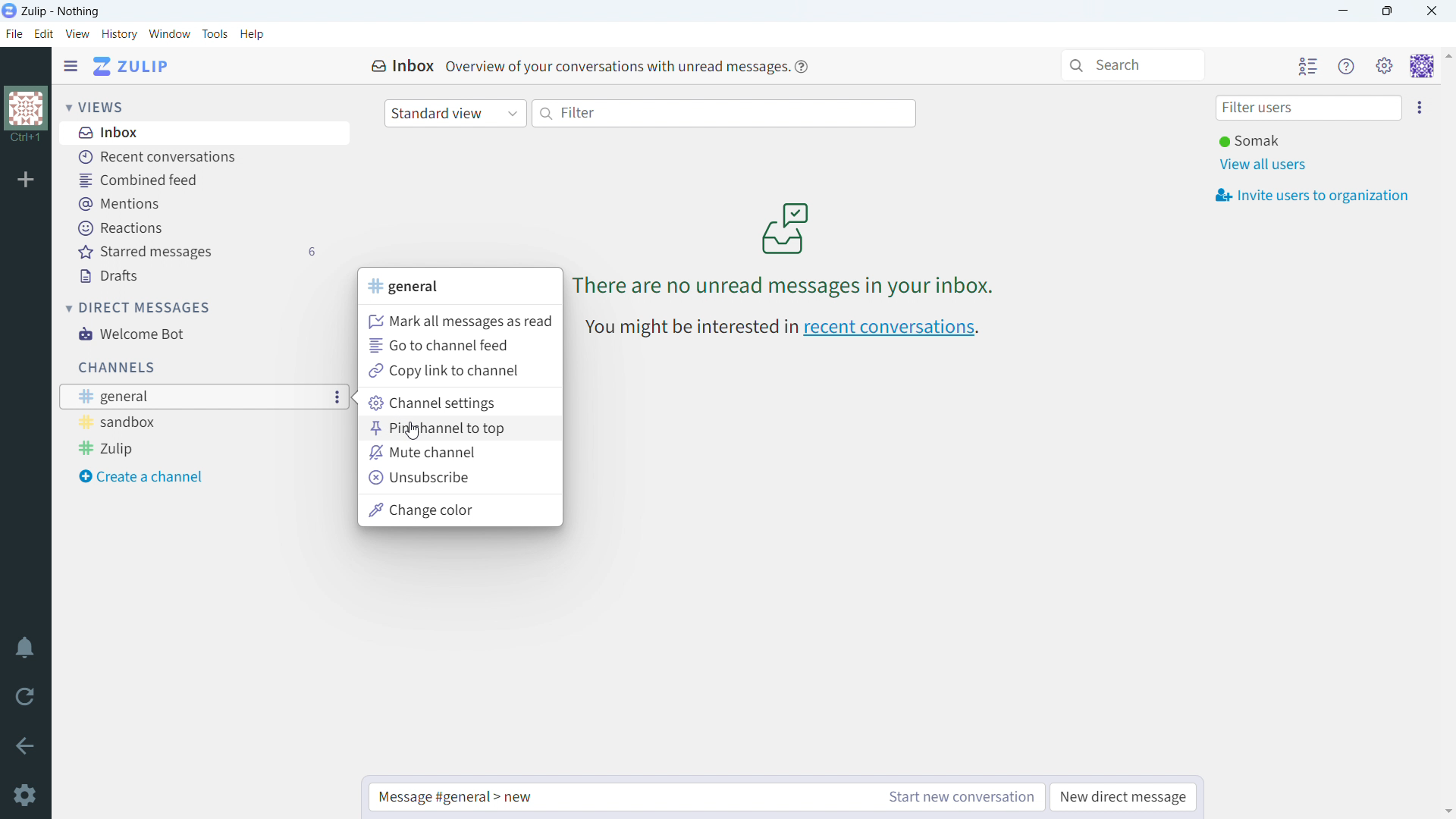 The height and width of the screenshot is (819, 1456). I want to click on reactions, so click(198, 227).